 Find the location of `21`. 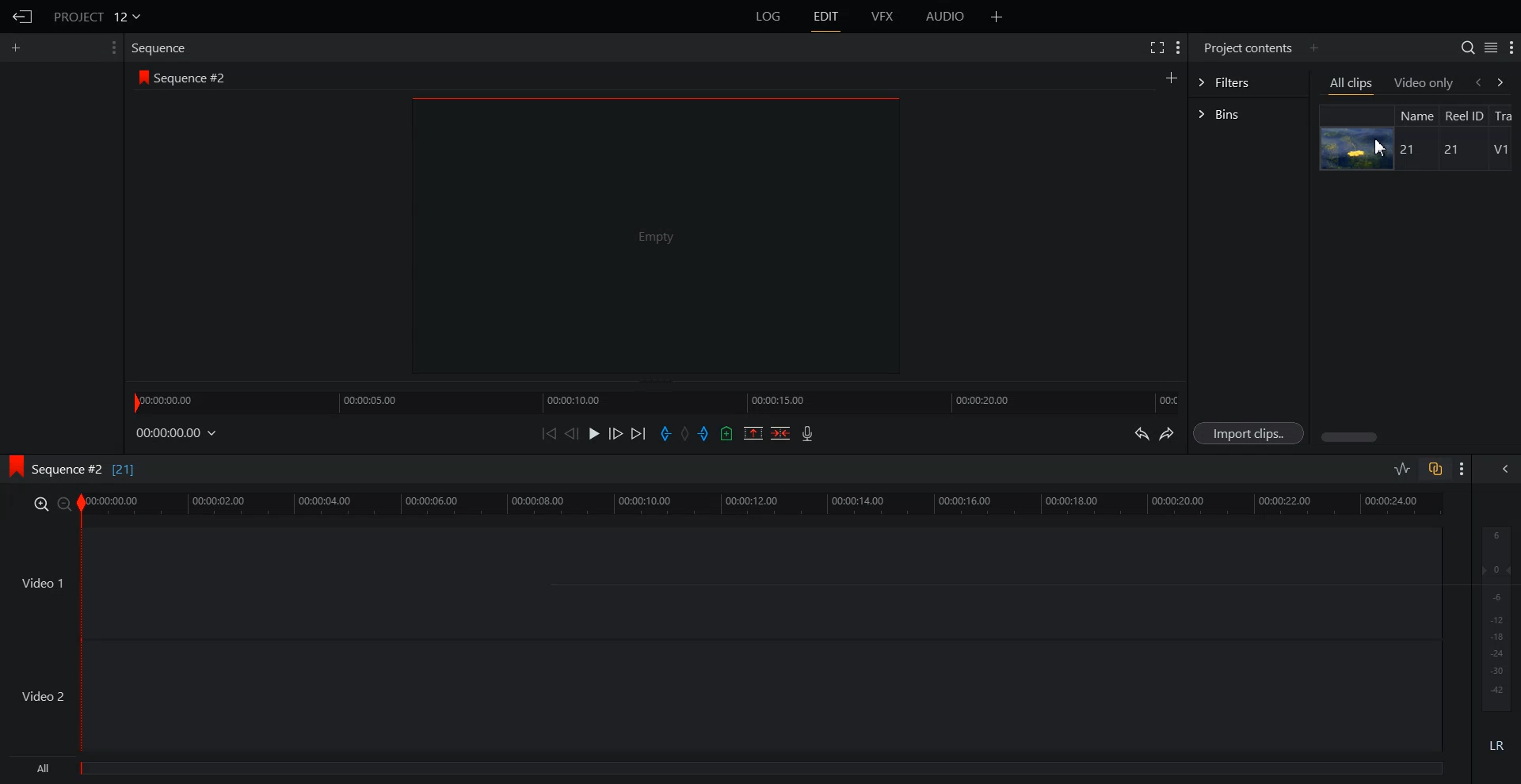

21 is located at coordinates (1448, 150).